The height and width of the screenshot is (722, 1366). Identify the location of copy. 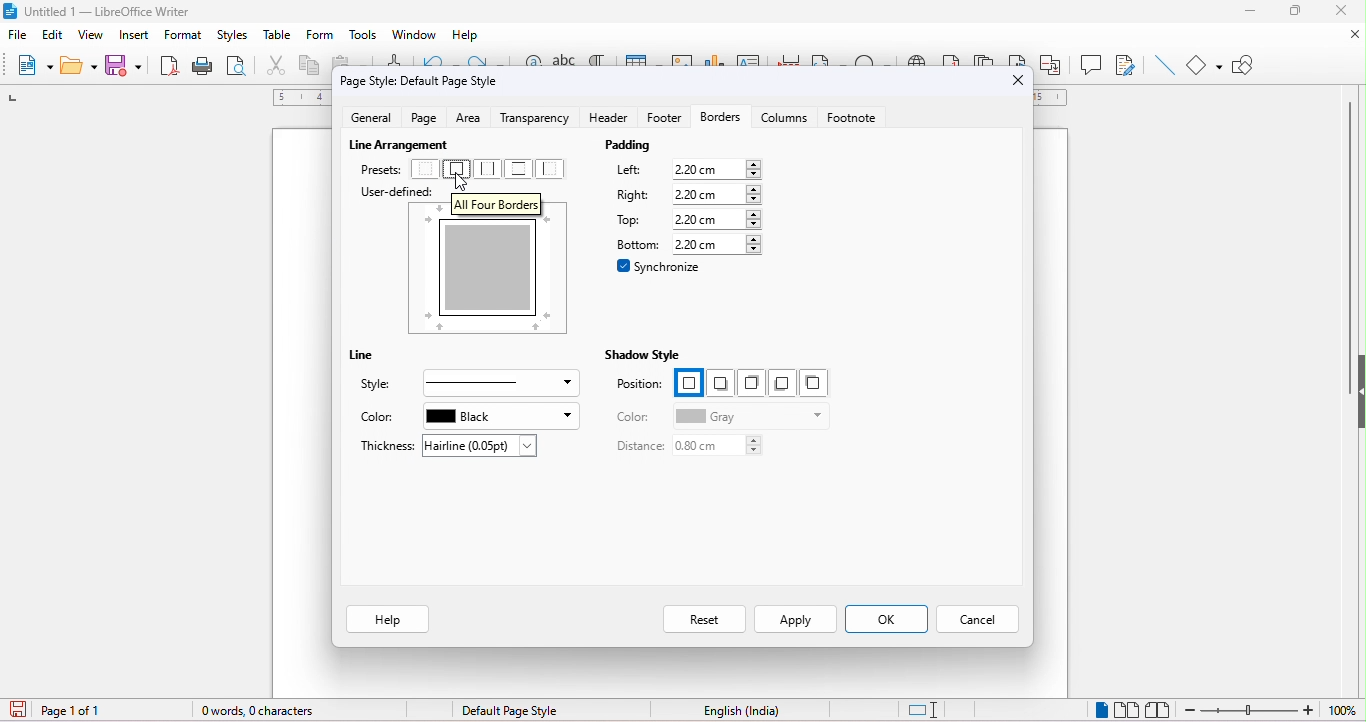
(310, 69).